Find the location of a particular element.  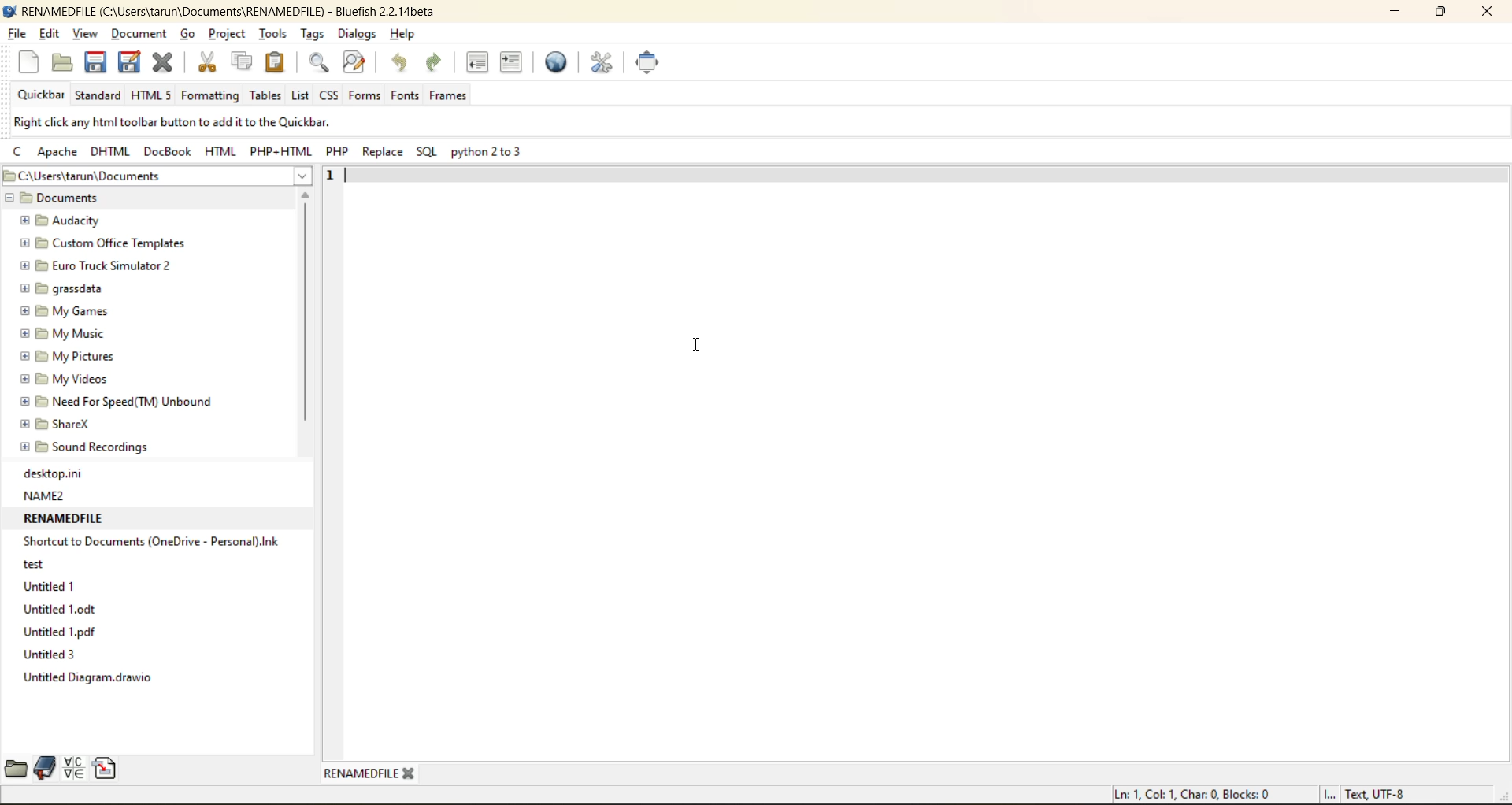

file browser is located at coordinates (16, 768).